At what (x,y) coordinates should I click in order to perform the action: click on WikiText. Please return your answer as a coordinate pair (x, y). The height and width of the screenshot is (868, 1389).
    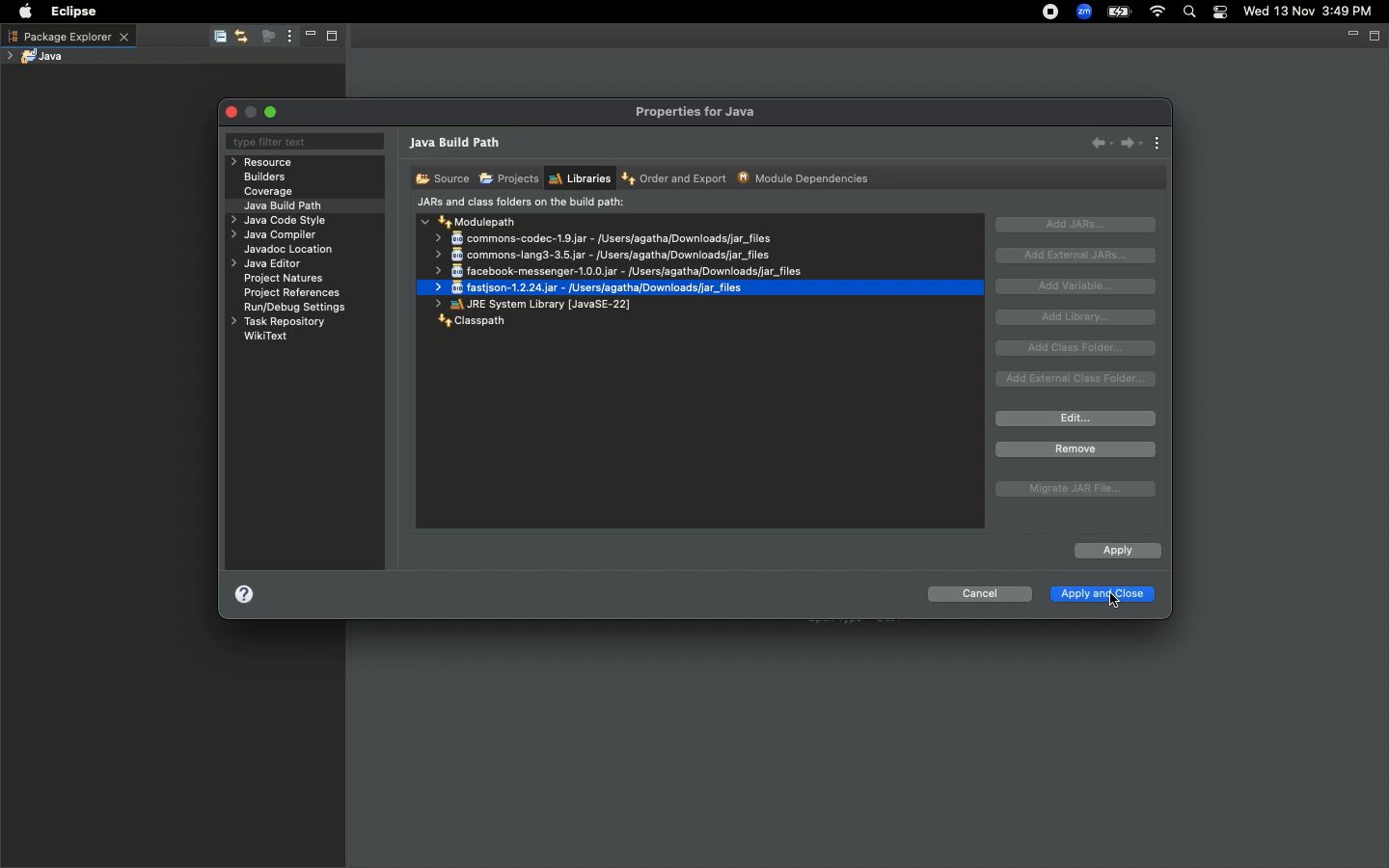
    Looking at the image, I should click on (266, 336).